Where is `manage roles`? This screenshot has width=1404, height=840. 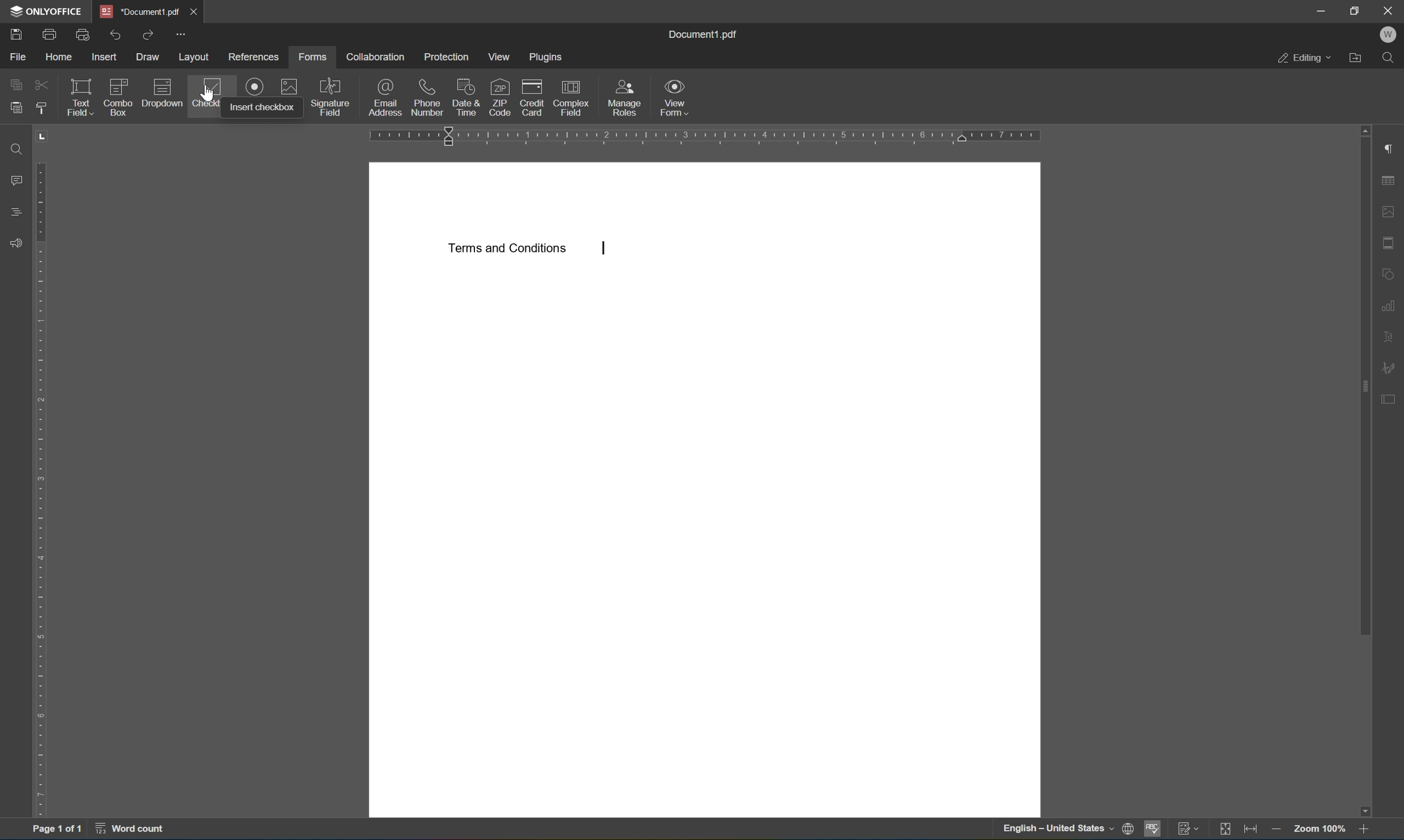 manage roles is located at coordinates (628, 97).